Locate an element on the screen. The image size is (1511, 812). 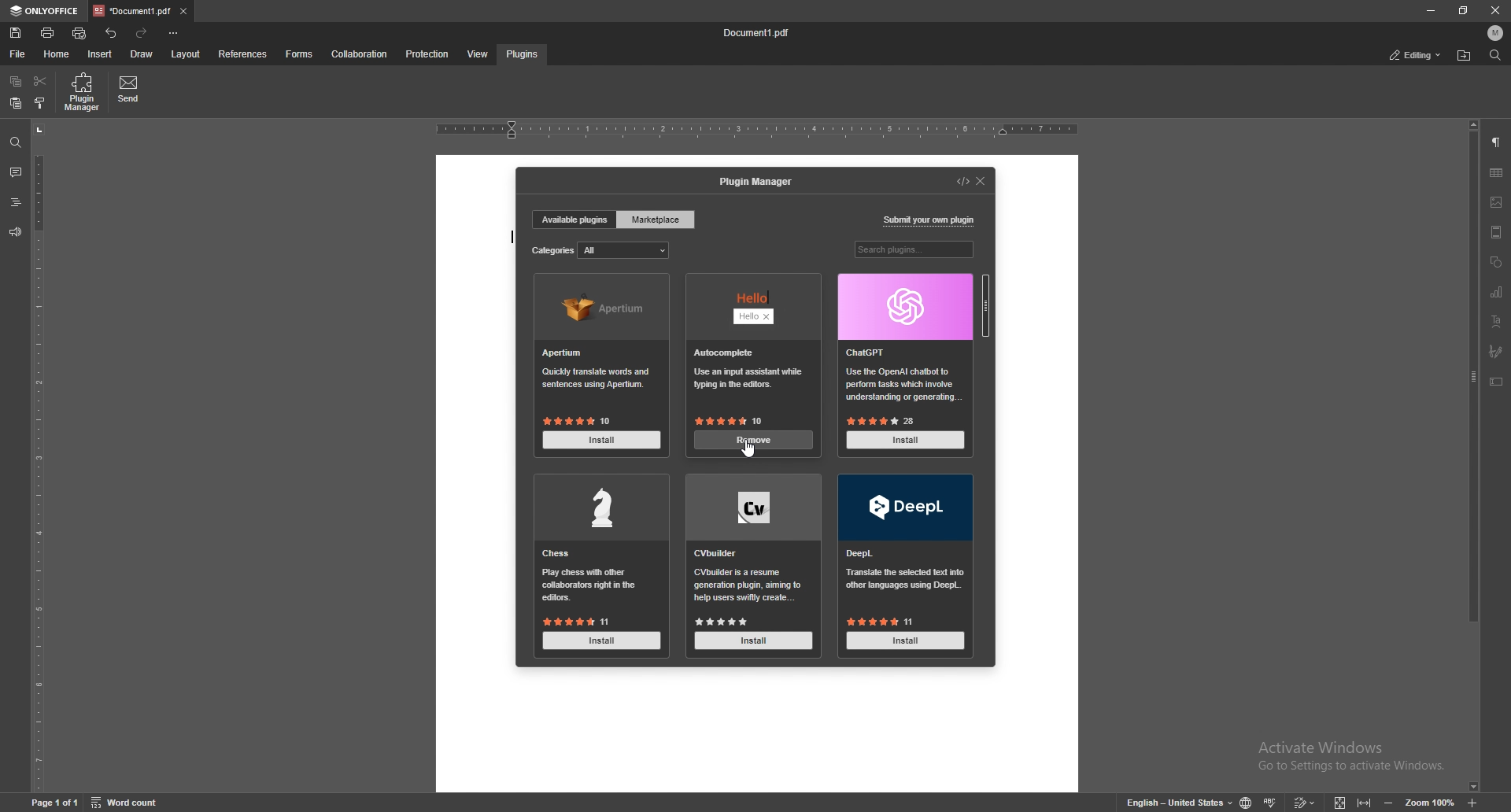
resize is located at coordinates (1463, 10).